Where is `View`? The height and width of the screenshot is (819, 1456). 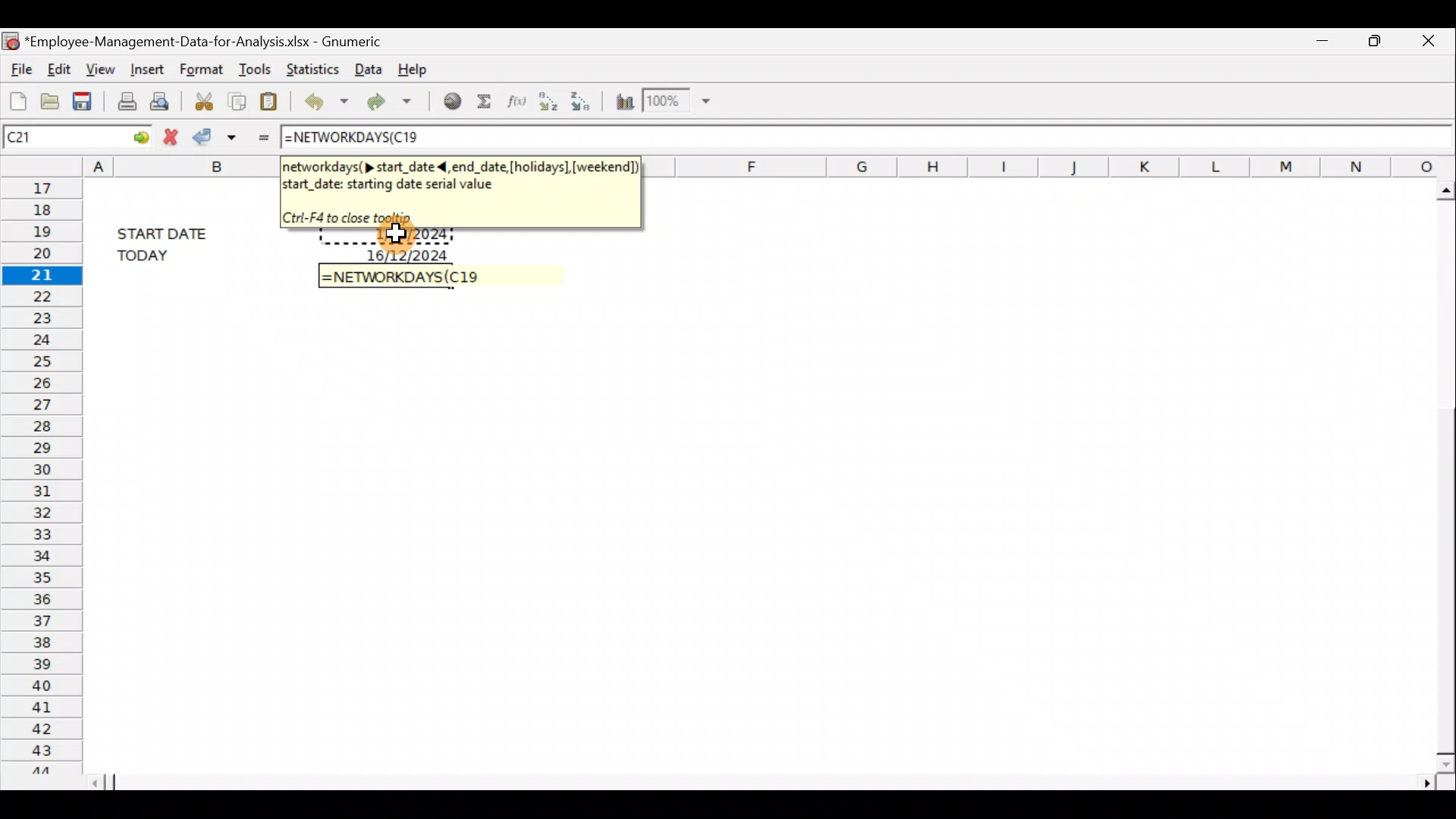
View is located at coordinates (102, 68).